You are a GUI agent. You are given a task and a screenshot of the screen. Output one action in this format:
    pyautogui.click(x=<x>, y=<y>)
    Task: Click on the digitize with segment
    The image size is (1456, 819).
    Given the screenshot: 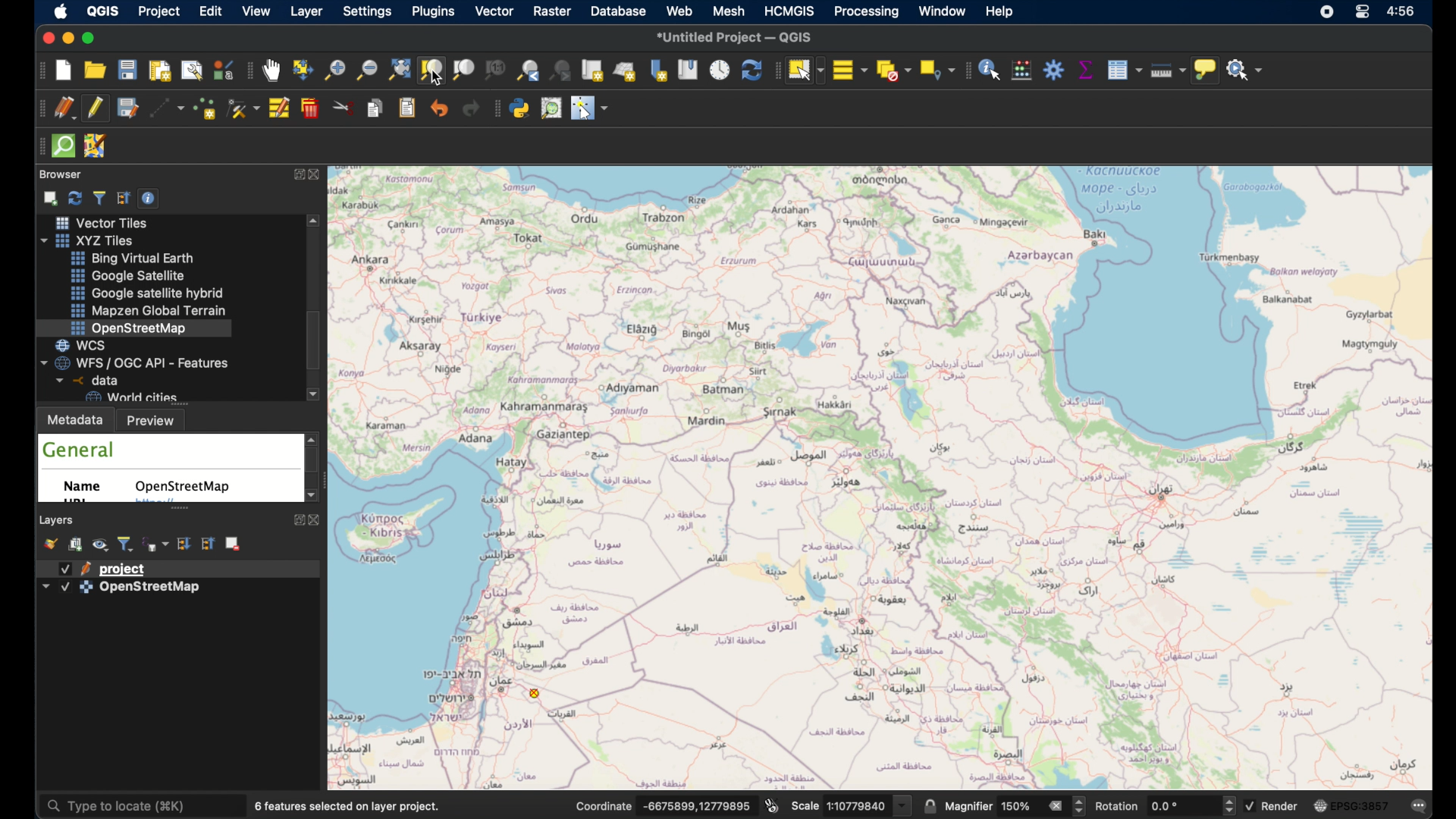 What is the action you would take?
    pyautogui.click(x=169, y=110)
    